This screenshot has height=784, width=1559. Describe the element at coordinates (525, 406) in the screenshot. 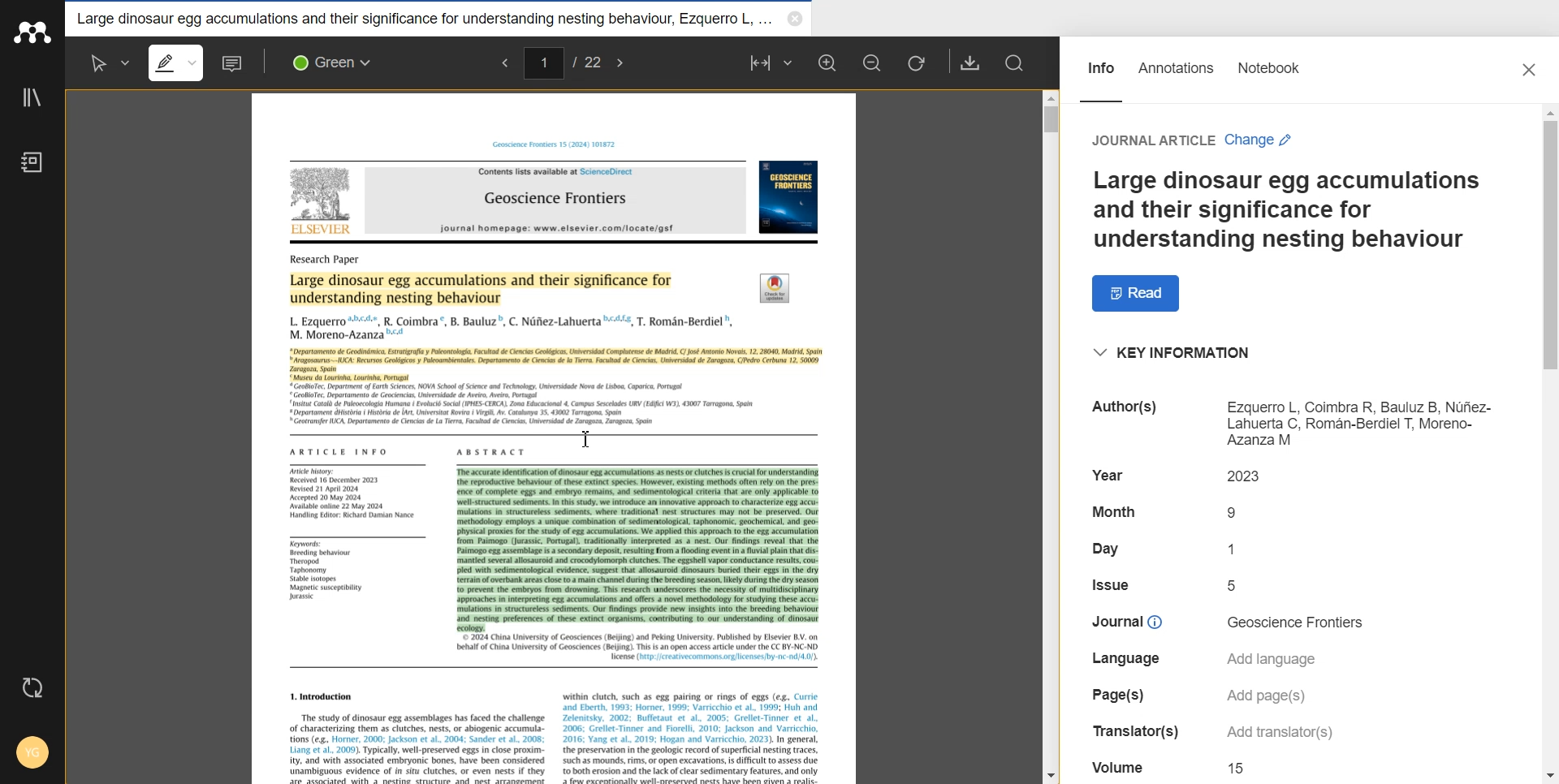

I see `text paragraph` at that location.